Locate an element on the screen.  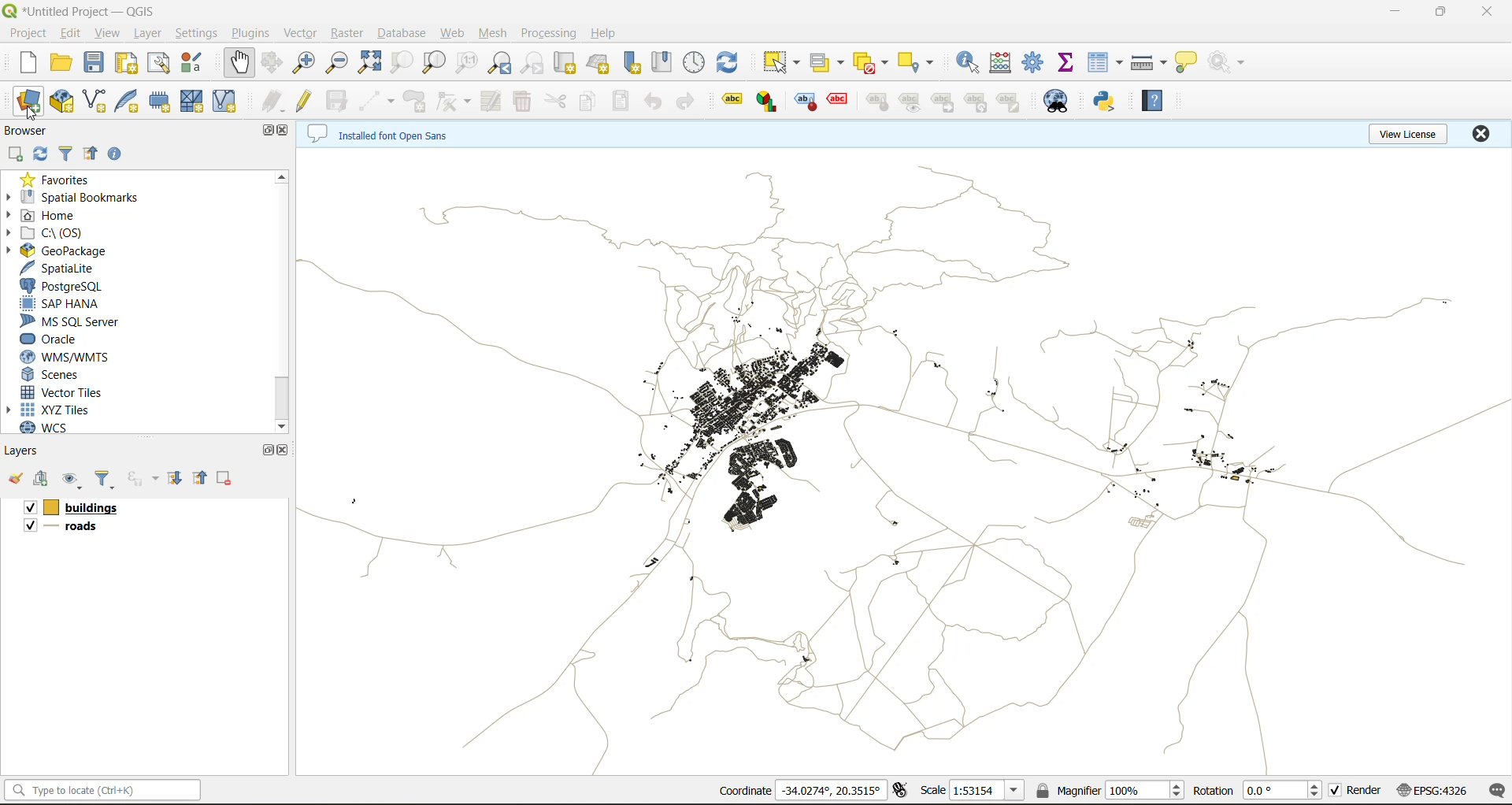
database is located at coordinates (406, 35).